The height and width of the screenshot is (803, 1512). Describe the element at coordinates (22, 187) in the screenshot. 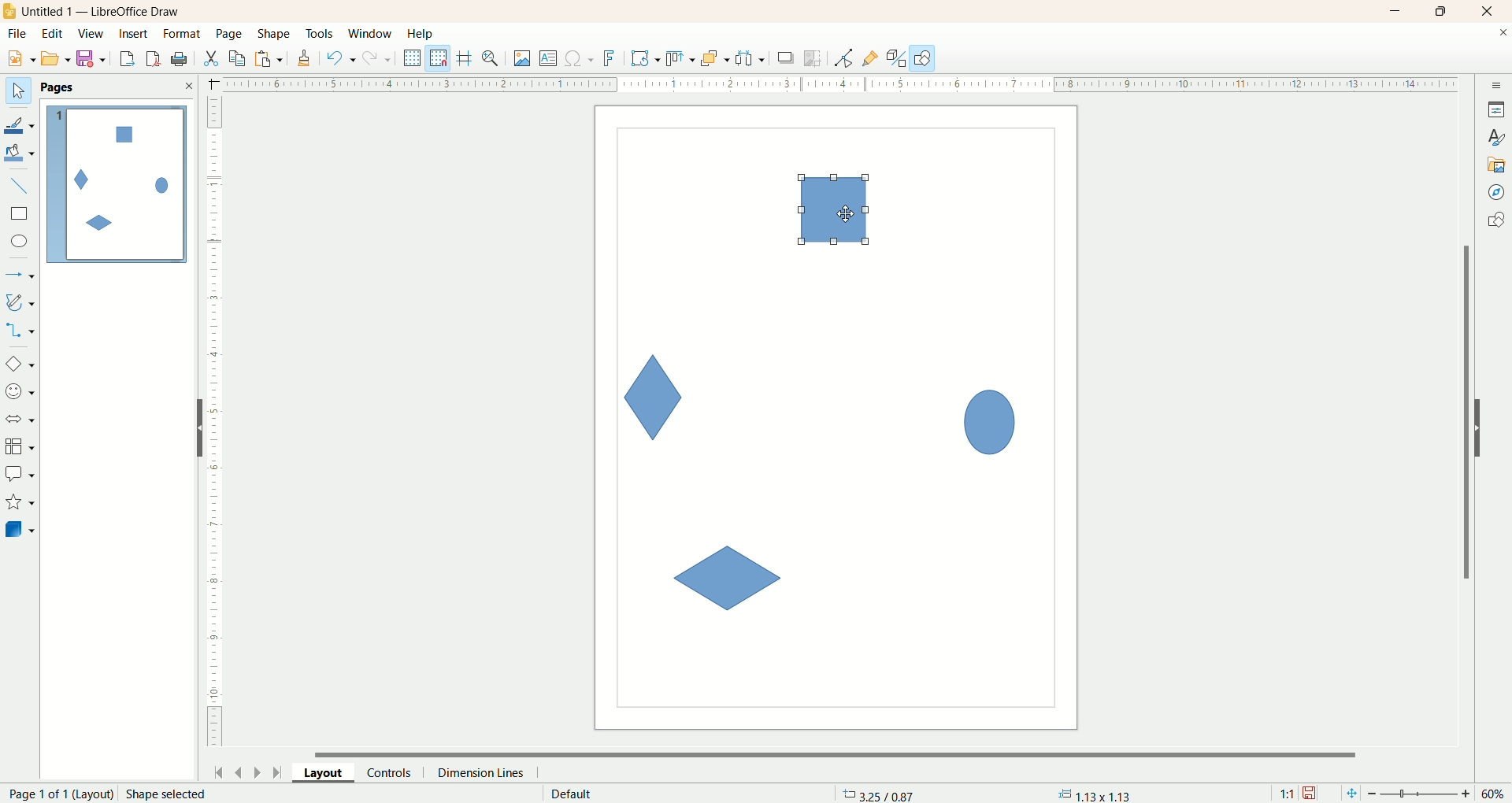

I see `insert line` at that location.